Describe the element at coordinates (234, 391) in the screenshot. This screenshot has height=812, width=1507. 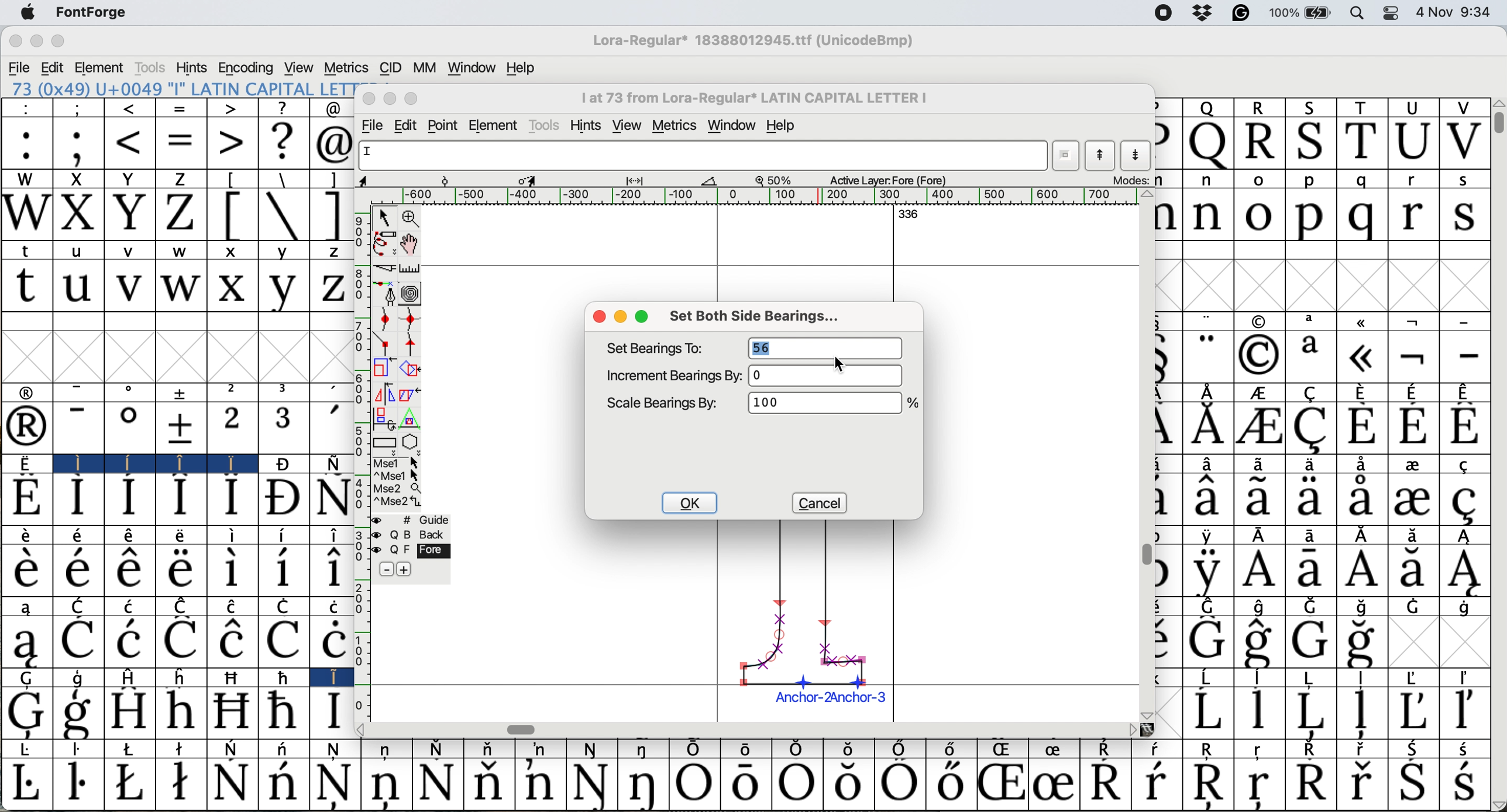
I see `2` at that location.